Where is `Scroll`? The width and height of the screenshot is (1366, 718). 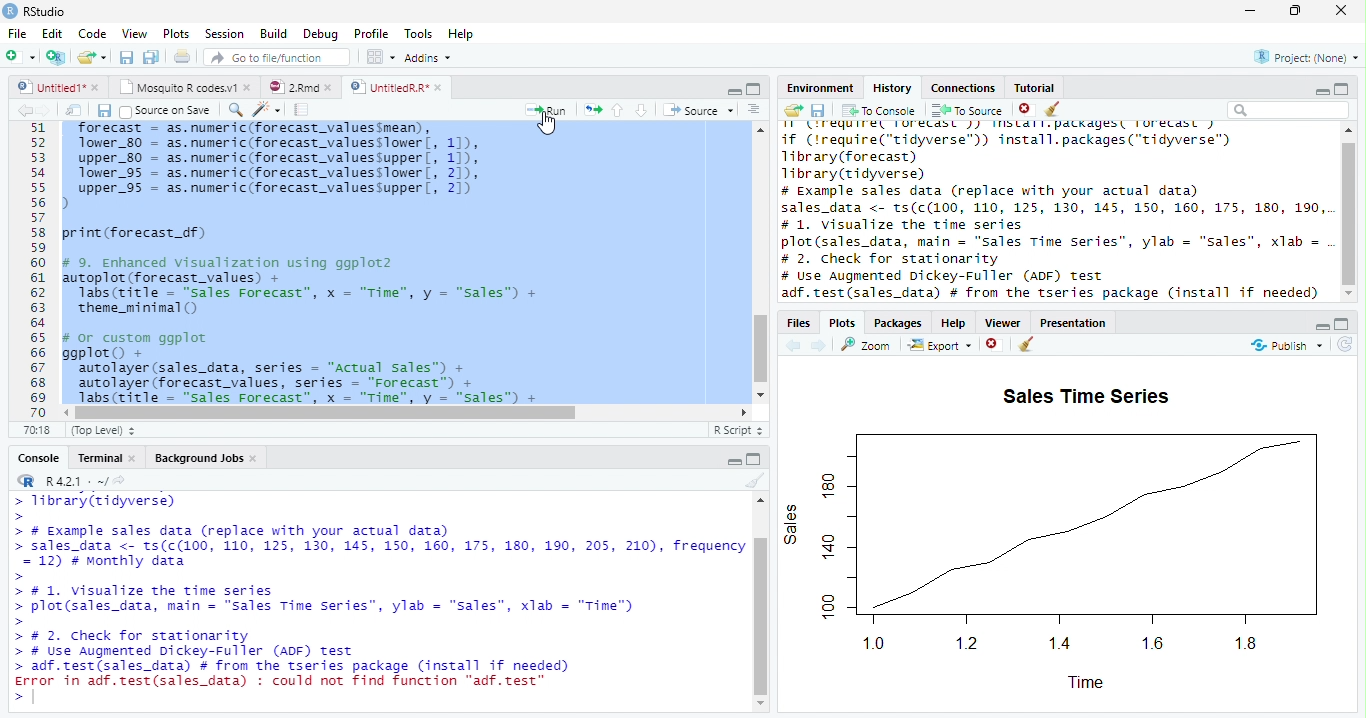
Scroll is located at coordinates (405, 412).